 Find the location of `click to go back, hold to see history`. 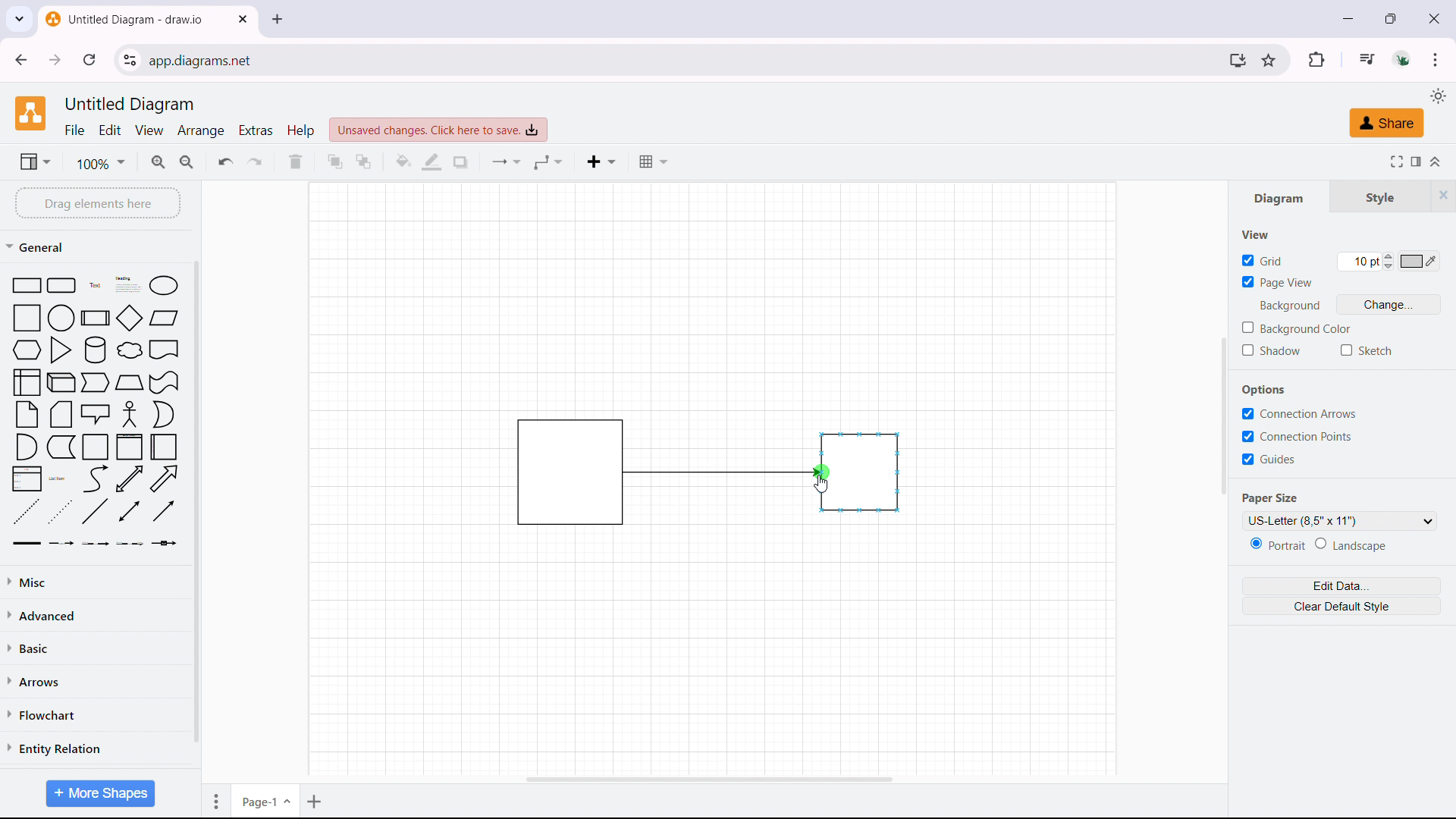

click to go back, hold to see history is located at coordinates (20, 59).